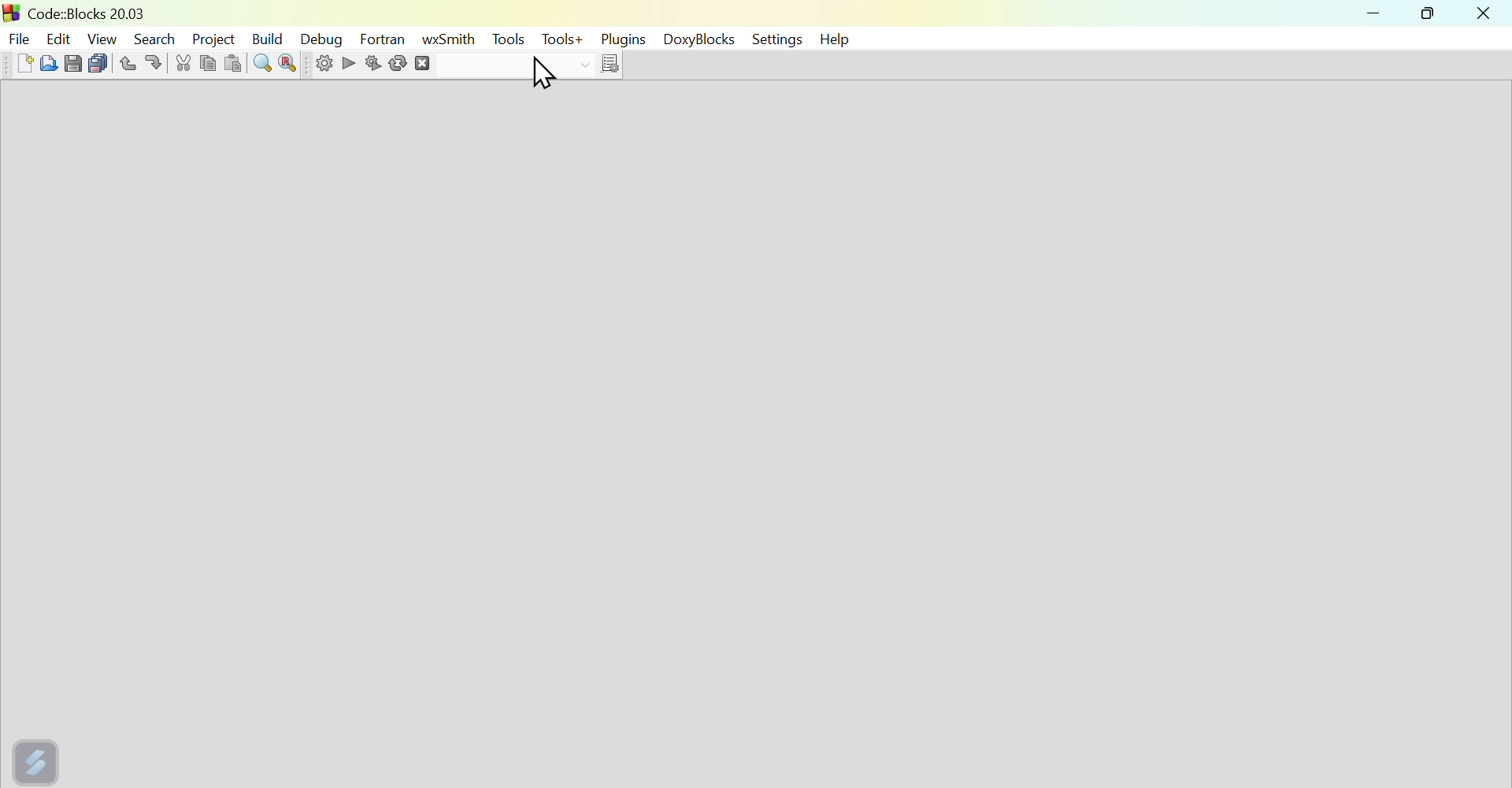 The image size is (1512, 788). What do you see at coordinates (209, 61) in the screenshot?
I see `Copy` at bounding box center [209, 61].